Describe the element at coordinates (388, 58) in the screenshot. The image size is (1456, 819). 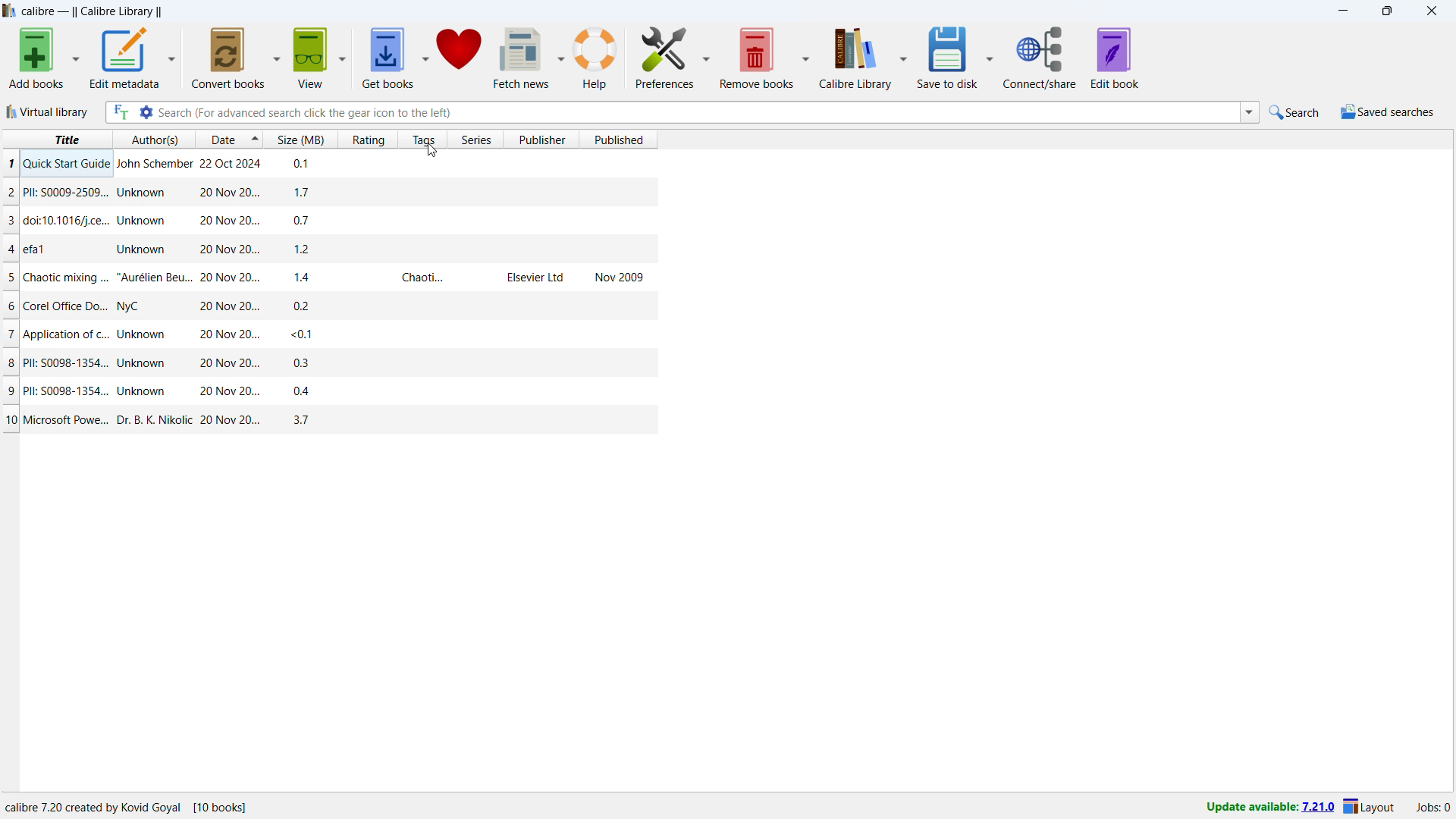
I see `get books` at that location.